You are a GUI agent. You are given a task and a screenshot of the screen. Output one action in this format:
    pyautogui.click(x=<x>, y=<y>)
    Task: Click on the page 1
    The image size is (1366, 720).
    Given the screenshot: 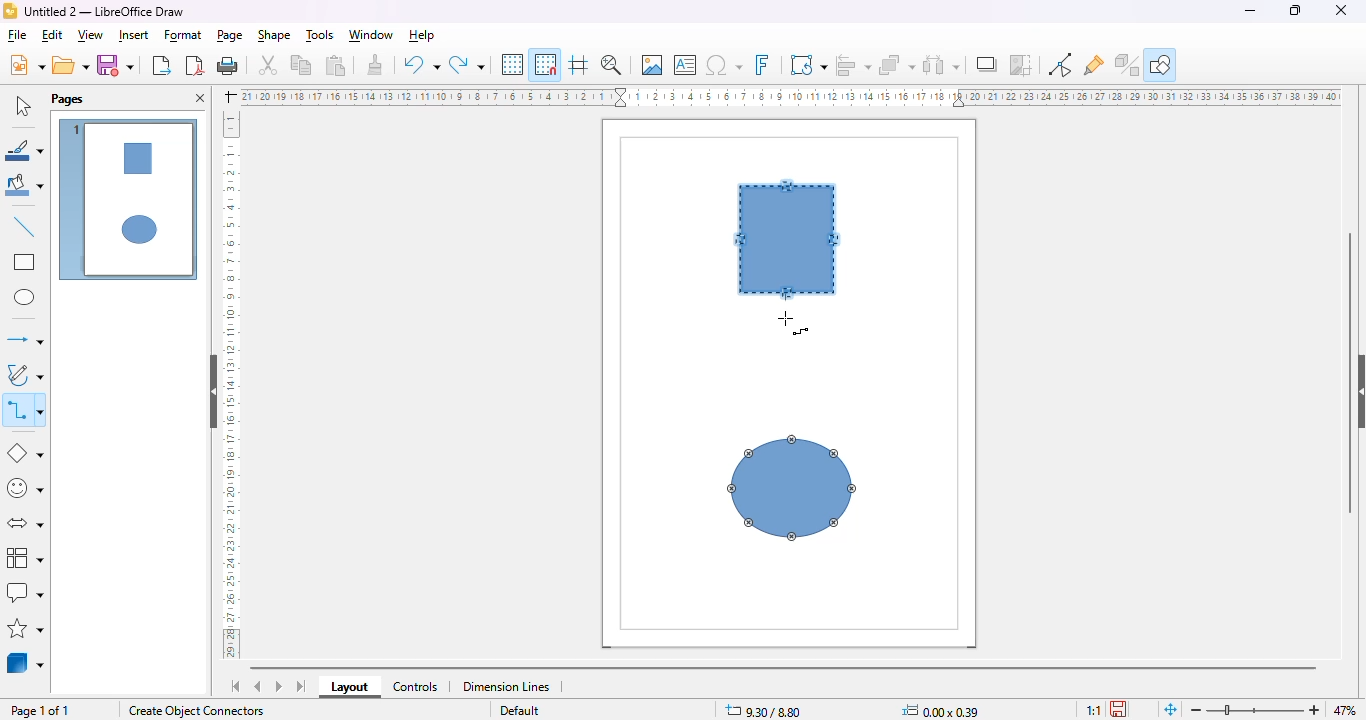 What is the action you would take?
    pyautogui.click(x=129, y=201)
    